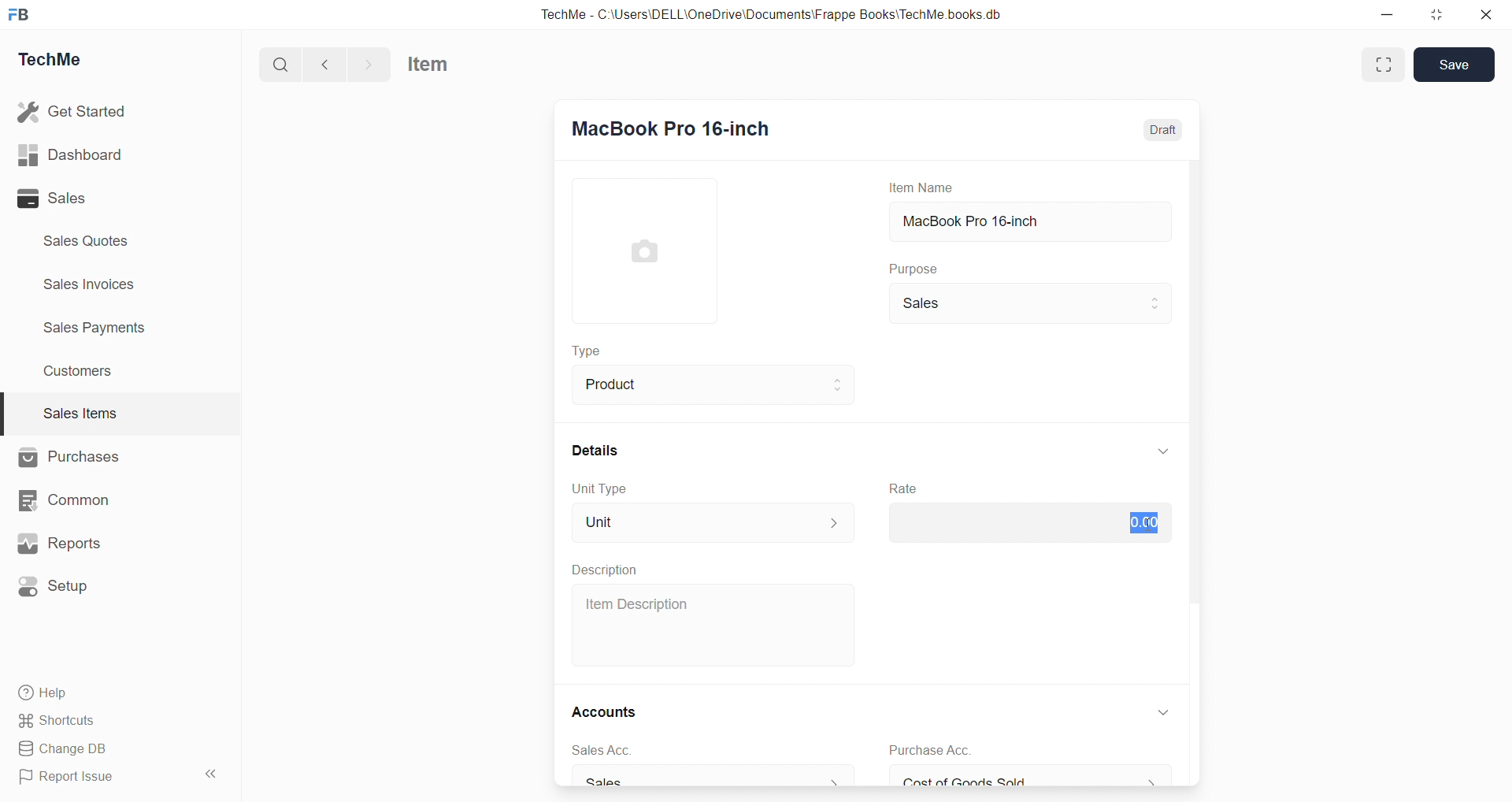 This screenshot has width=1512, height=802. Describe the element at coordinates (1487, 14) in the screenshot. I see `close` at that location.